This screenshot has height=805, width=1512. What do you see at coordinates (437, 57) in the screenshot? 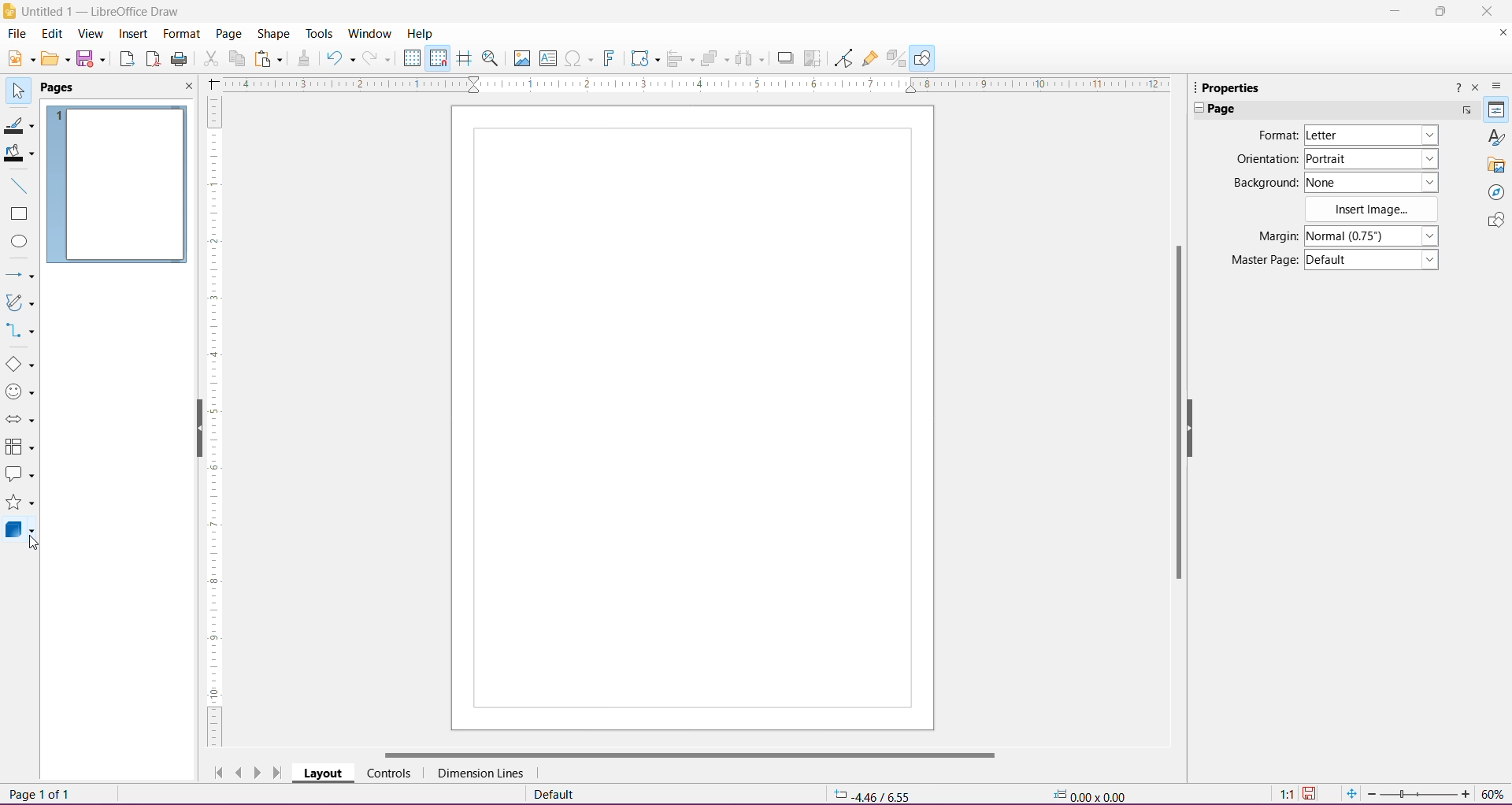
I see `Snap to Grid` at bounding box center [437, 57].